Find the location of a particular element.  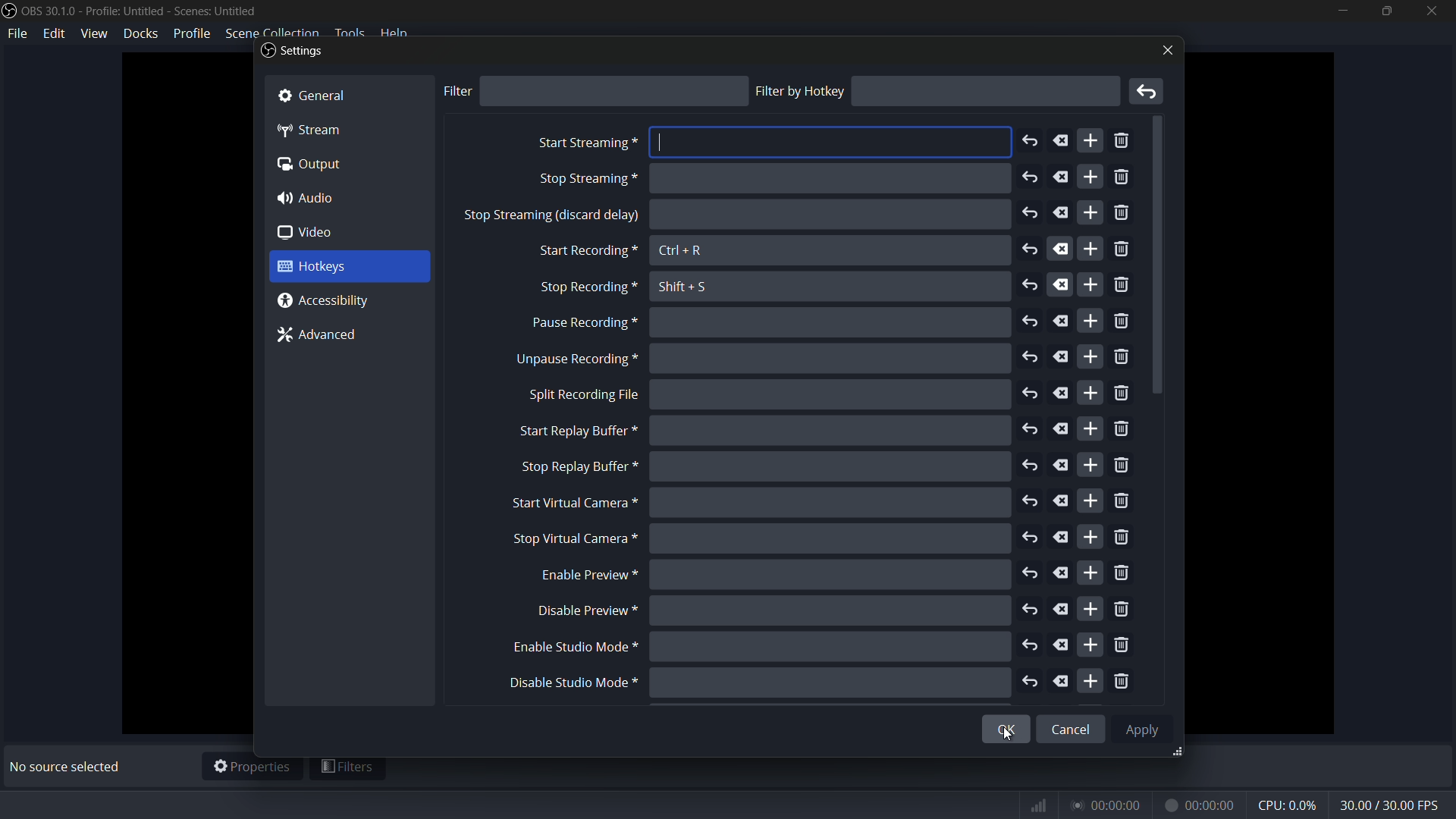

delete is located at coordinates (1062, 610).